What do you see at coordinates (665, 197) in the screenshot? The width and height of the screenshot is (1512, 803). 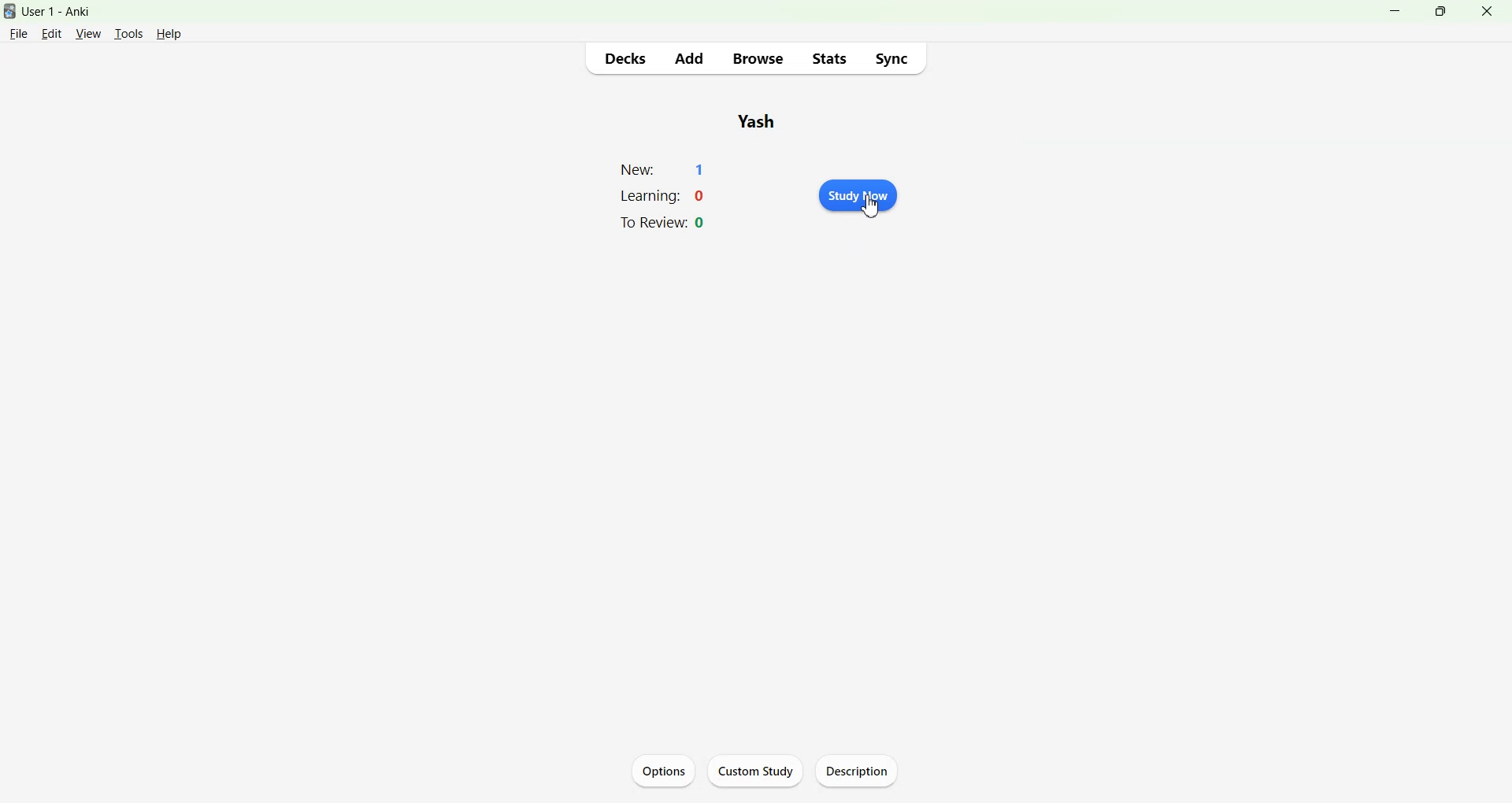 I see `New: 1 Learning: 0 To Review: 0` at bounding box center [665, 197].